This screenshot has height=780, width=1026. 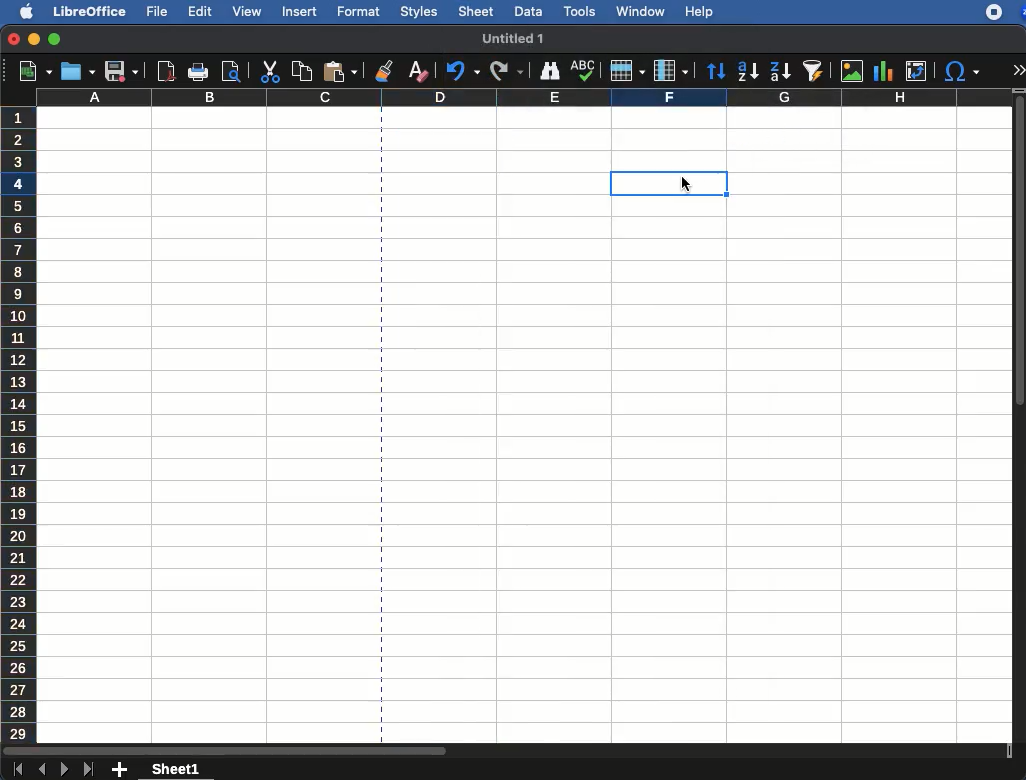 I want to click on apple, so click(x=20, y=12).